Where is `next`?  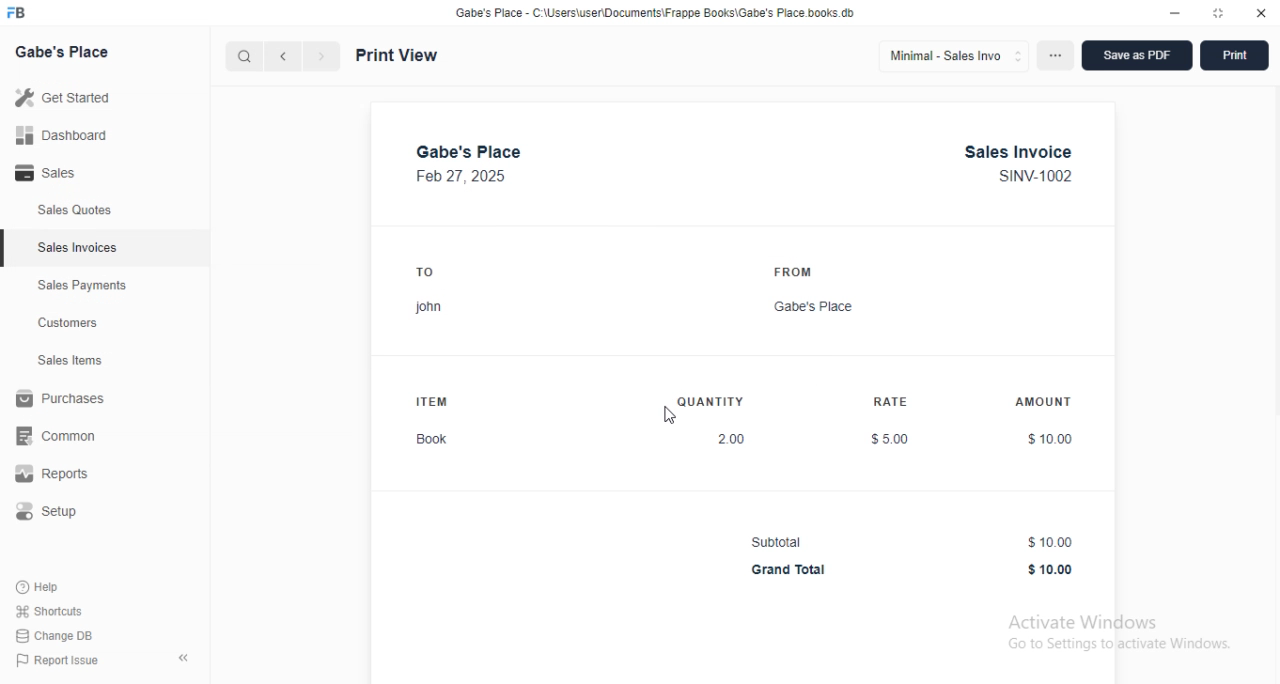
next is located at coordinates (322, 56).